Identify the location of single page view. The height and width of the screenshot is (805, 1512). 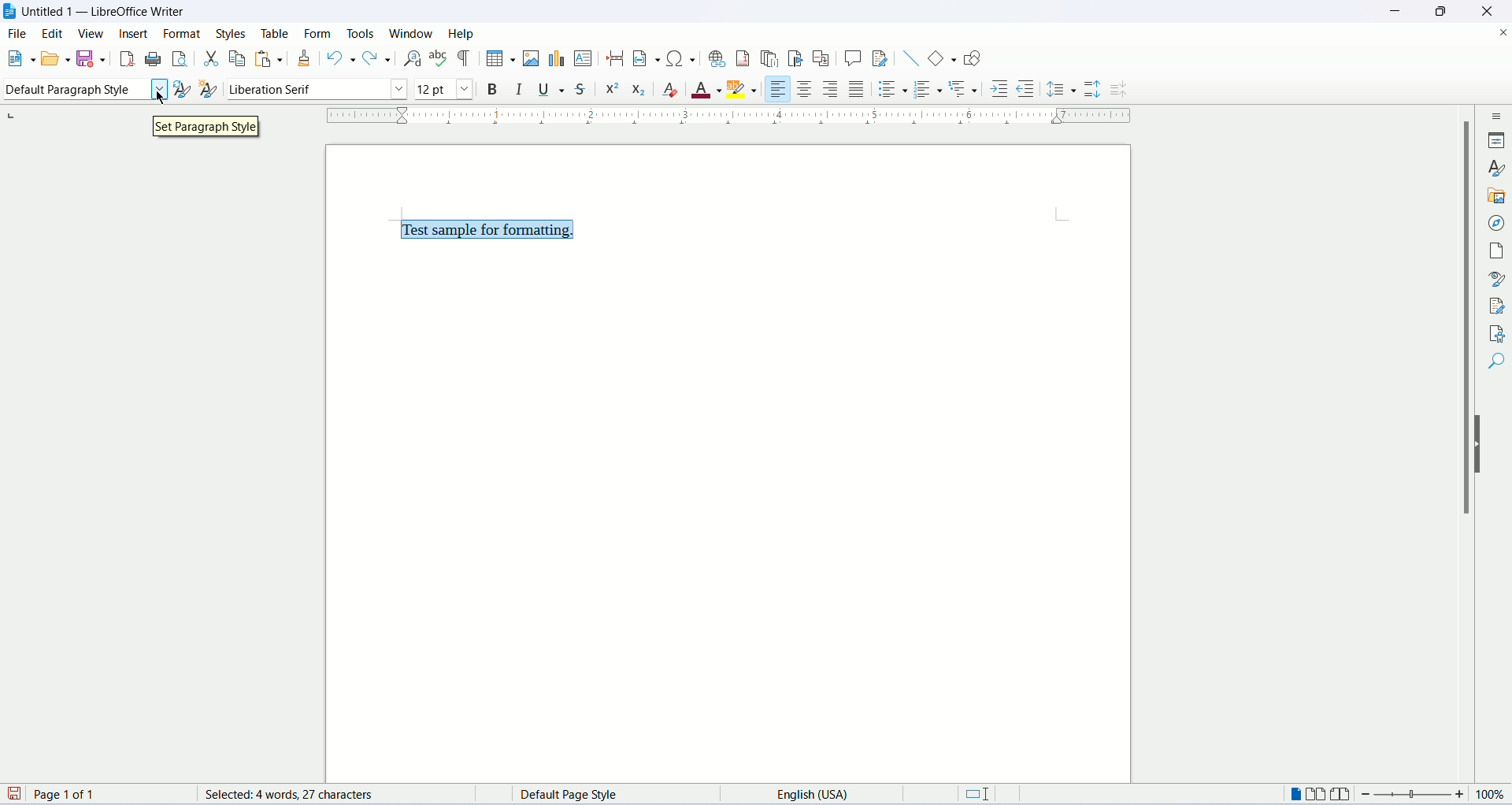
(1297, 794).